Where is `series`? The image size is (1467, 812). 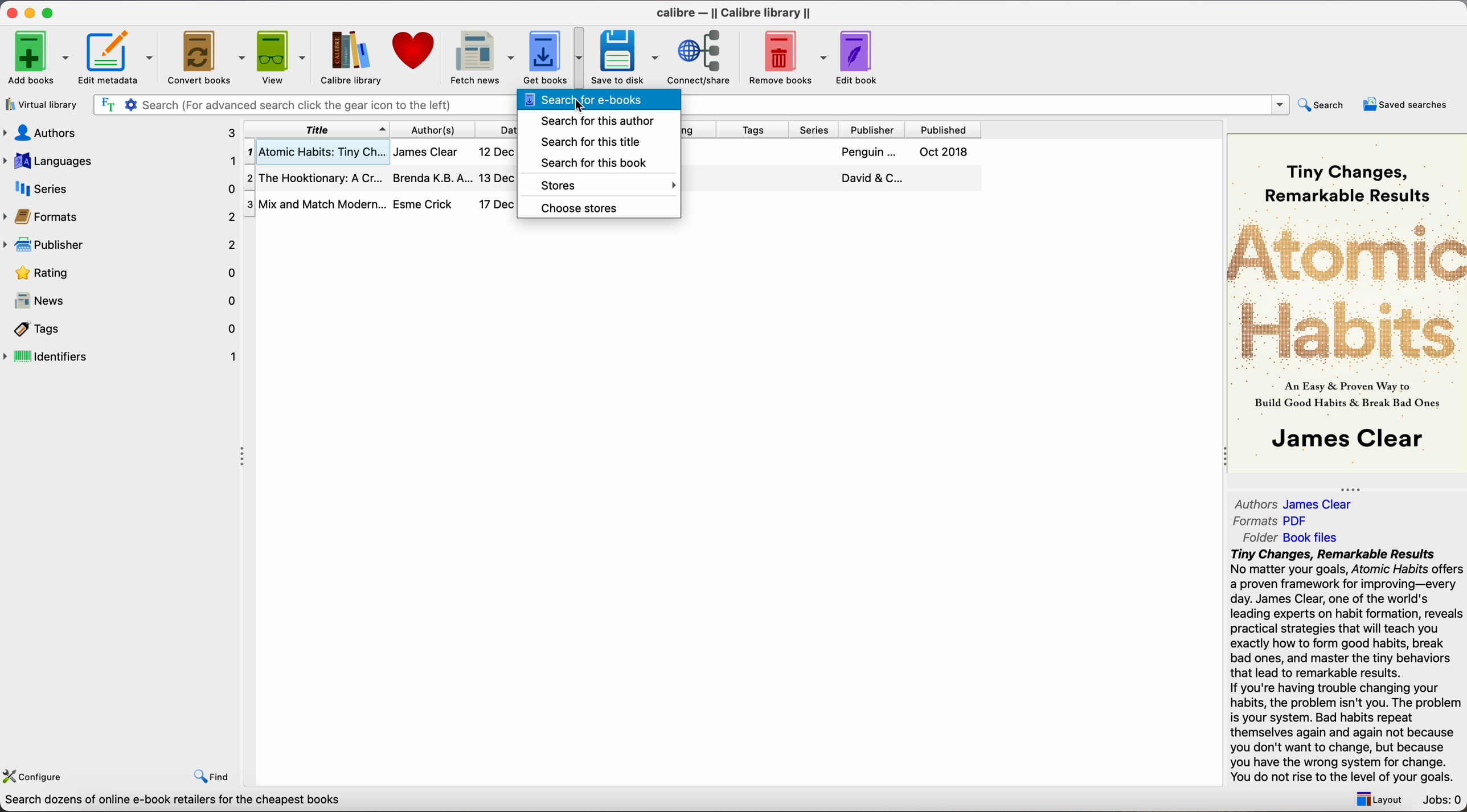 series is located at coordinates (819, 130).